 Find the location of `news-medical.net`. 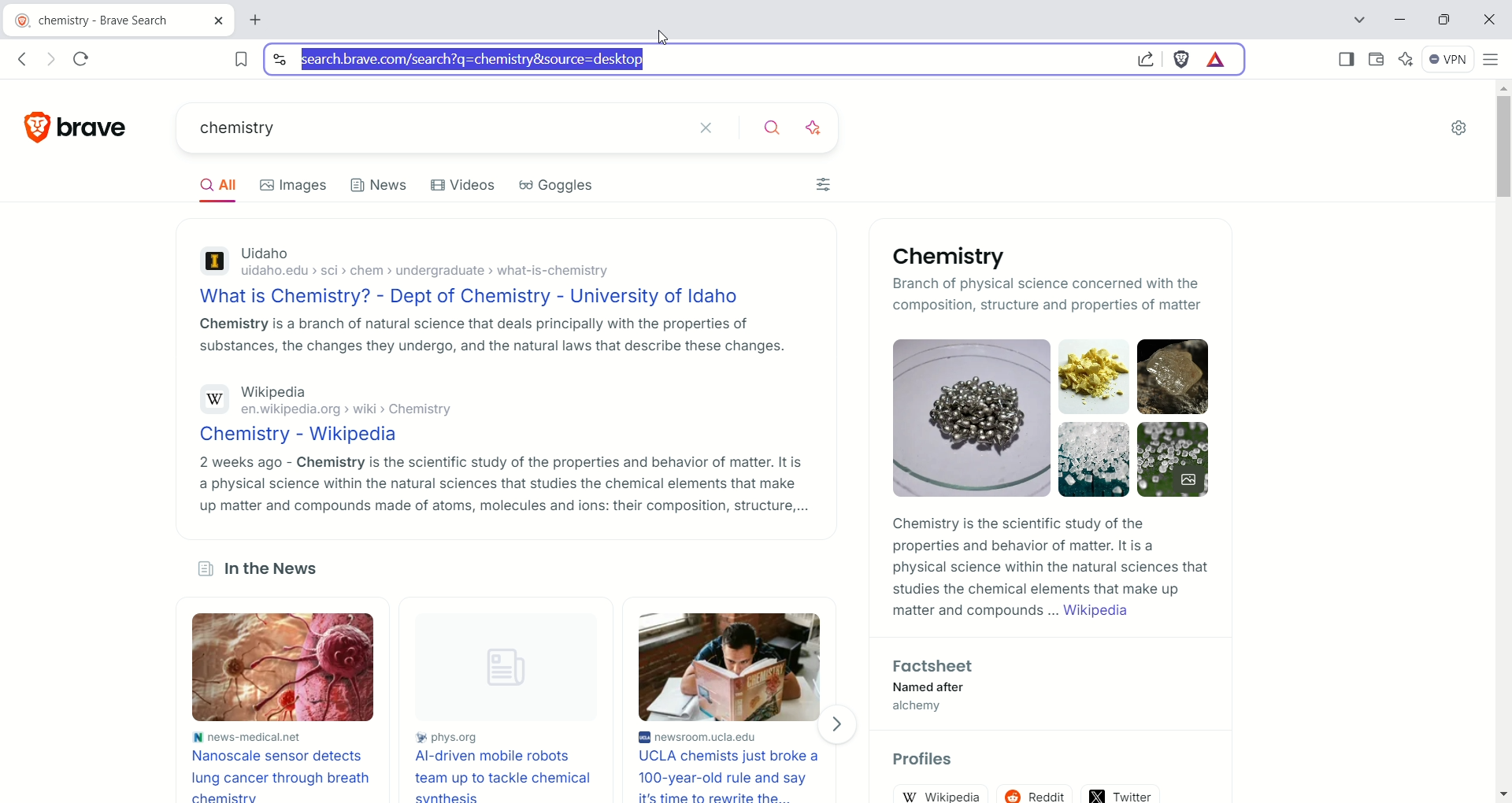

news-medical.net is located at coordinates (247, 736).